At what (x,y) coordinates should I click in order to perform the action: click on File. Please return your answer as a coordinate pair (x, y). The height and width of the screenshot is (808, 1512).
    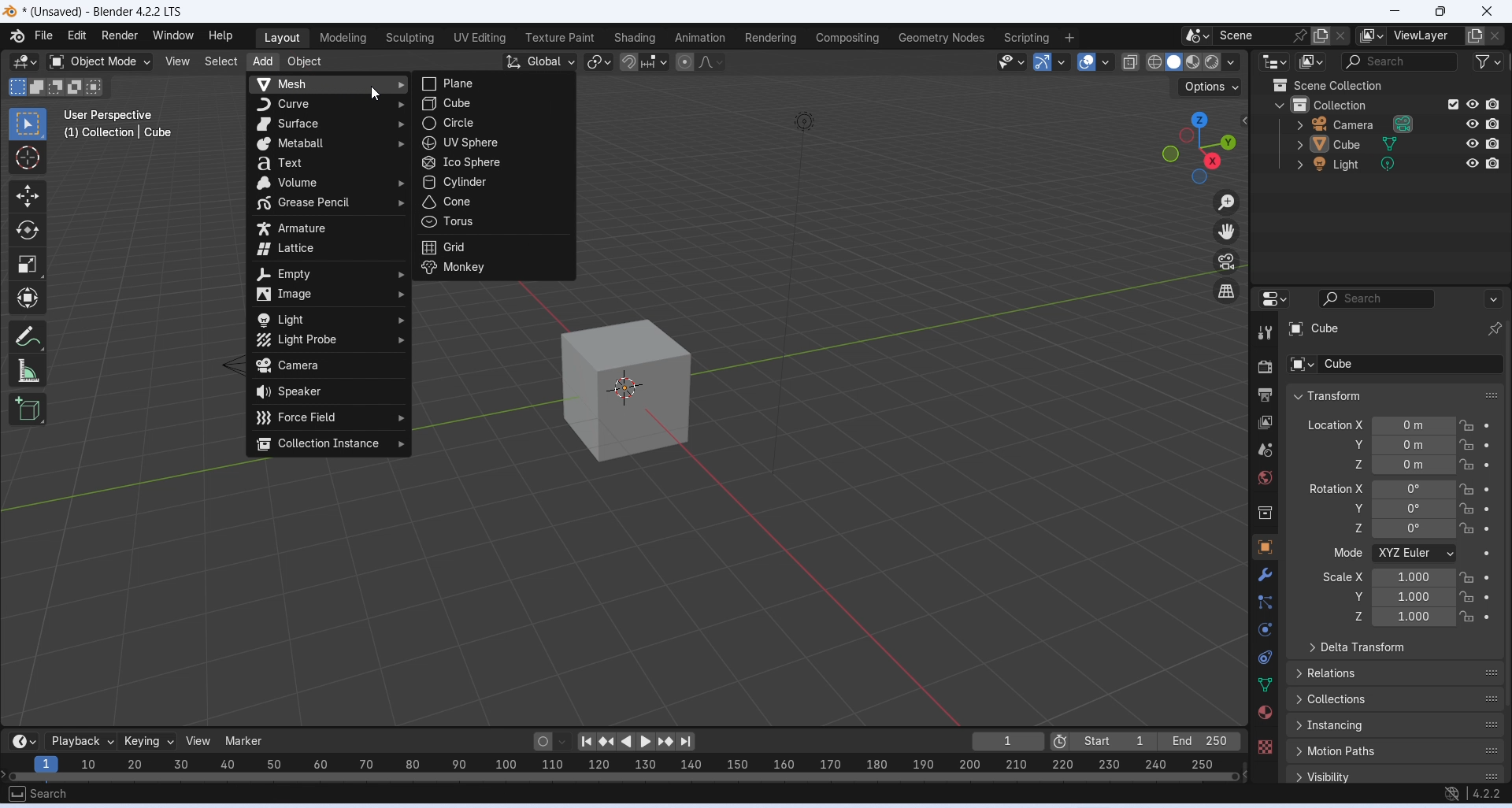
    Looking at the image, I should click on (43, 35).